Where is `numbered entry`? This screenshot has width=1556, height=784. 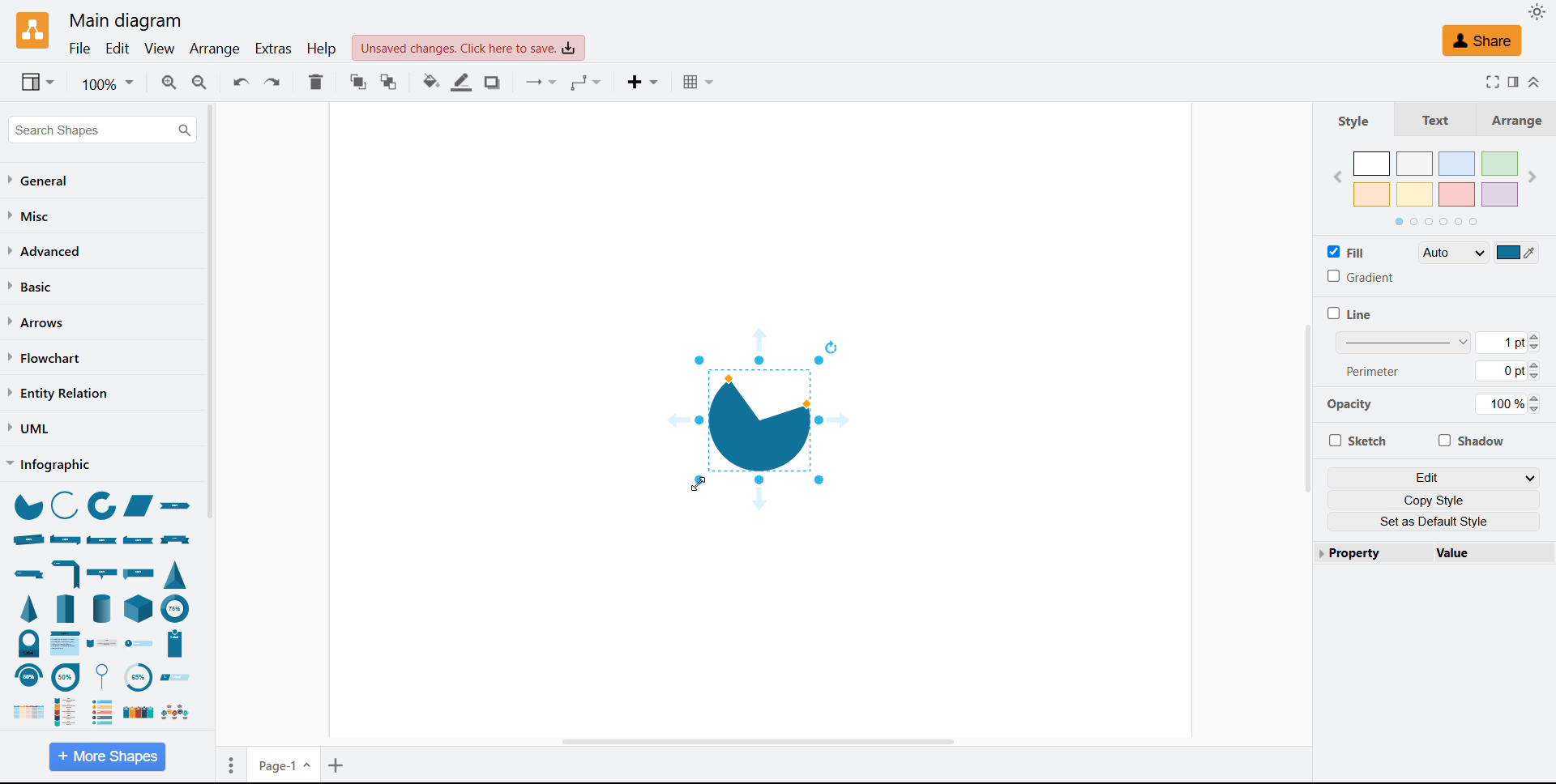 numbered entry is located at coordinates (139, 644).